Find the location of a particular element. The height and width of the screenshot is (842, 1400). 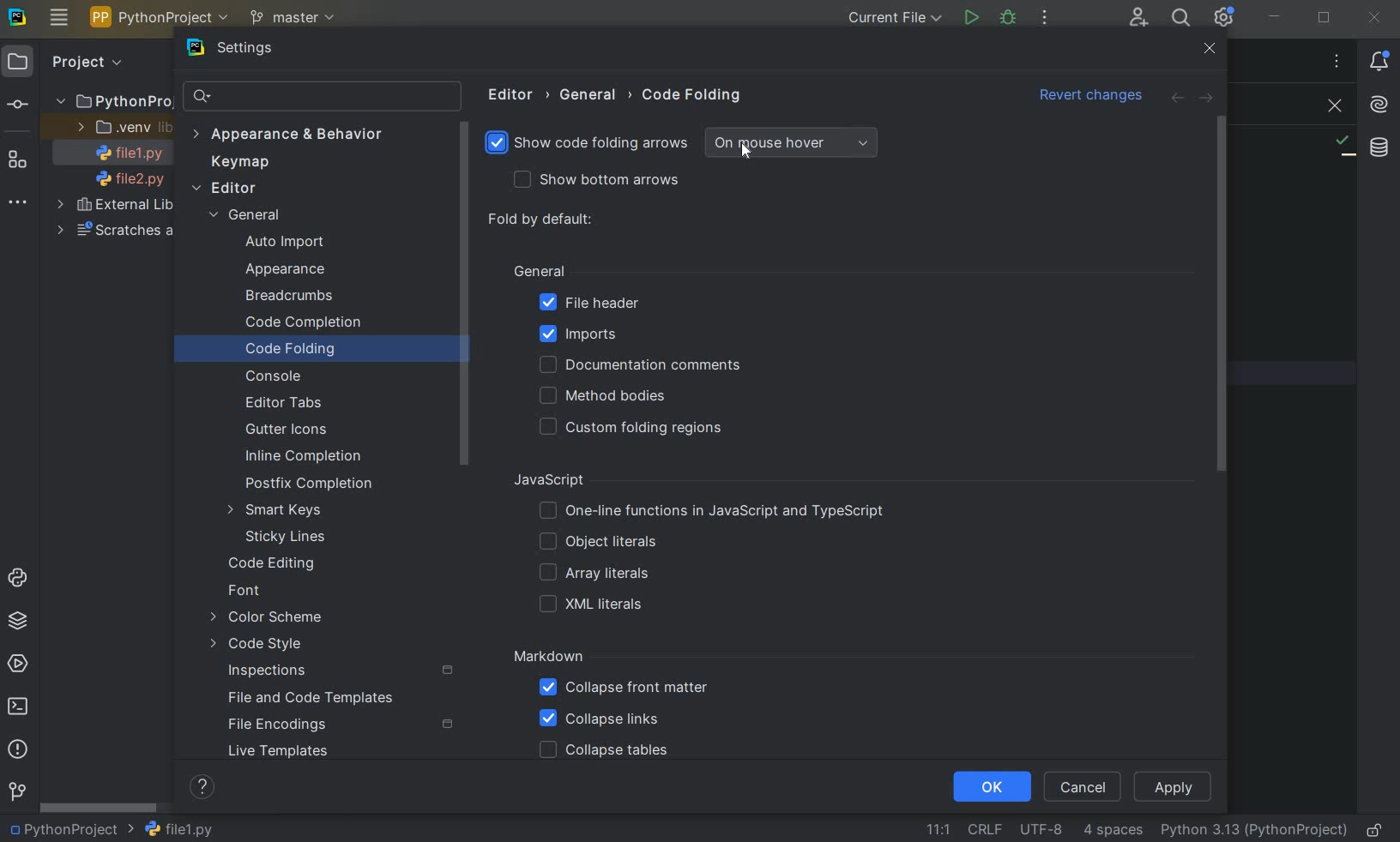

MINIMIZE is located at coordinates (1275, 18).